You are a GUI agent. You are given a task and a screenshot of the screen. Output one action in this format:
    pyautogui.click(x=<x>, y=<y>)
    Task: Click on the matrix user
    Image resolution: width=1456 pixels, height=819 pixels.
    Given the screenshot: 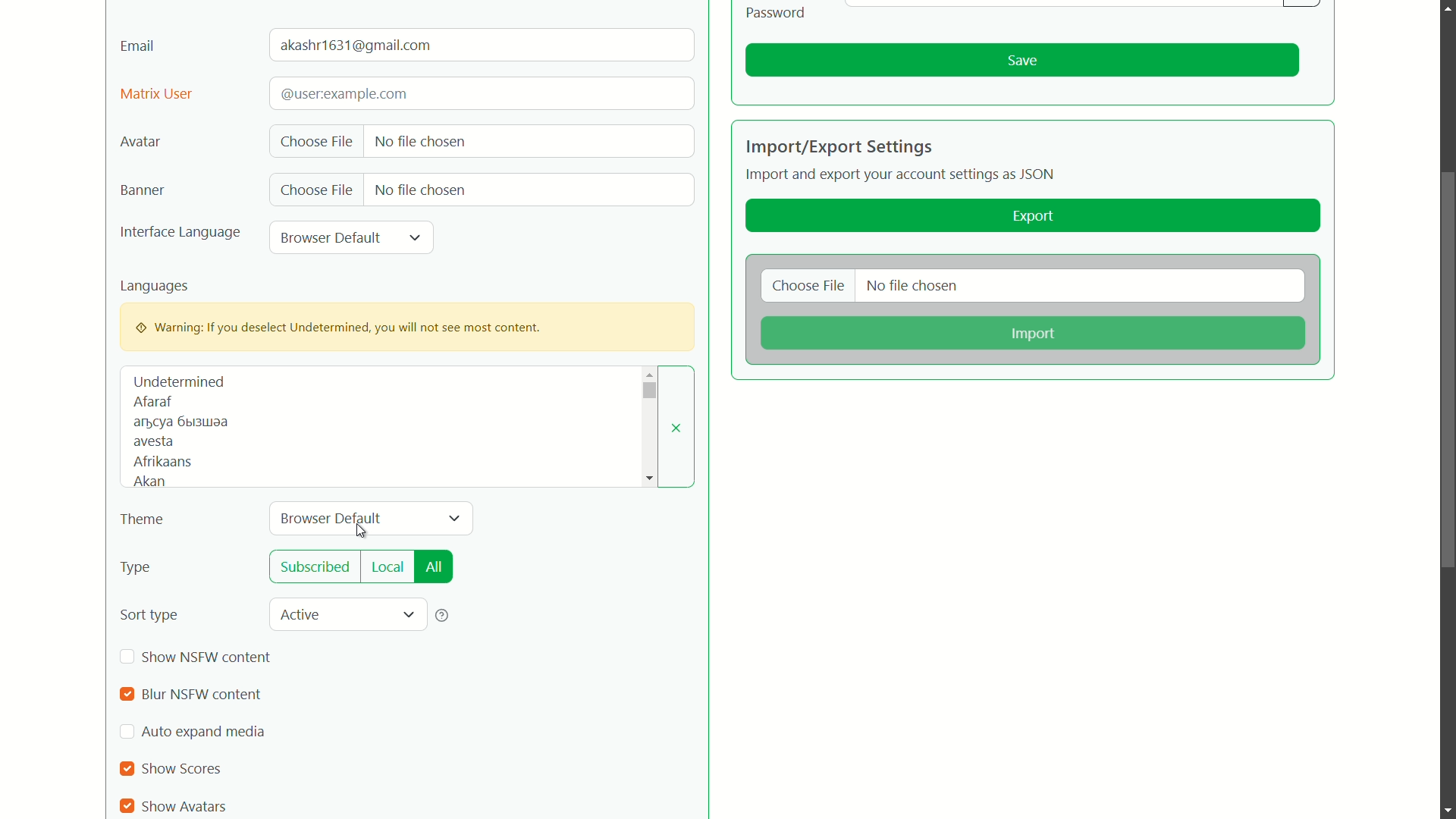 What is the action you would take?
    pyautogui.click(x=156, y=95)
    